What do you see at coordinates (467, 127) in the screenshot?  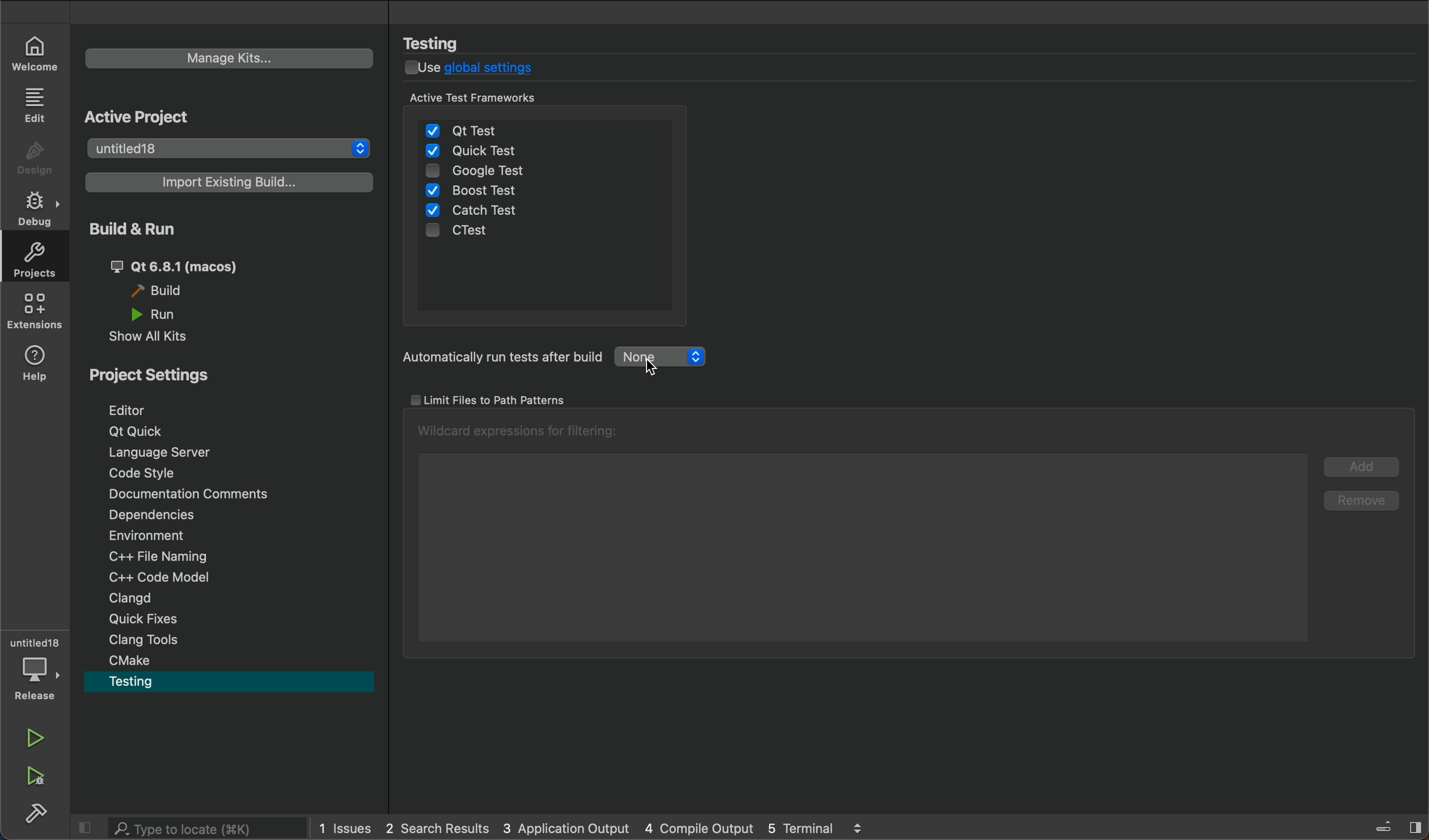 I see `QT TEST` at bounding box center [467, 127].